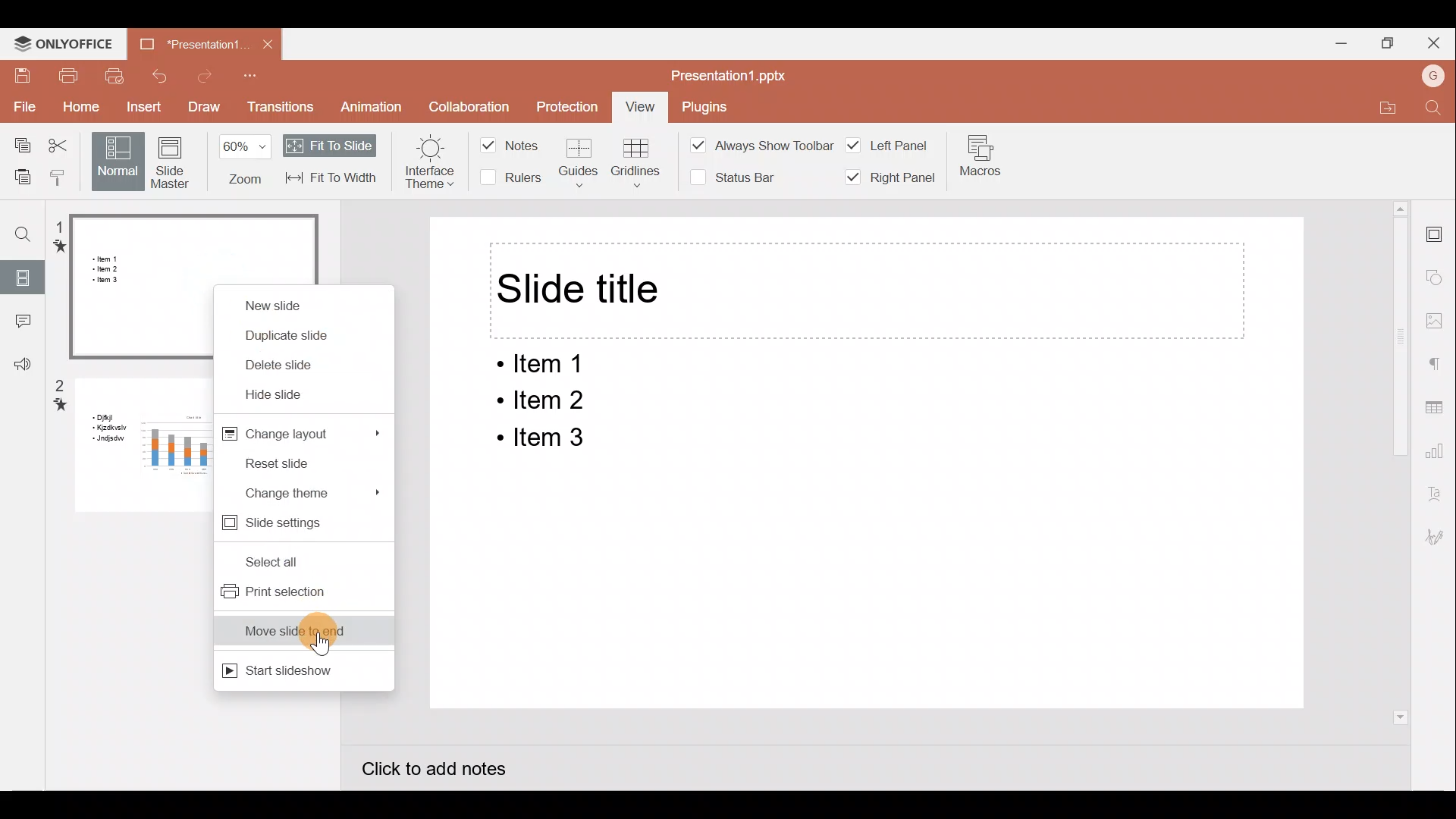  I want to click on ONLYOFFICE, so click(62, 42).